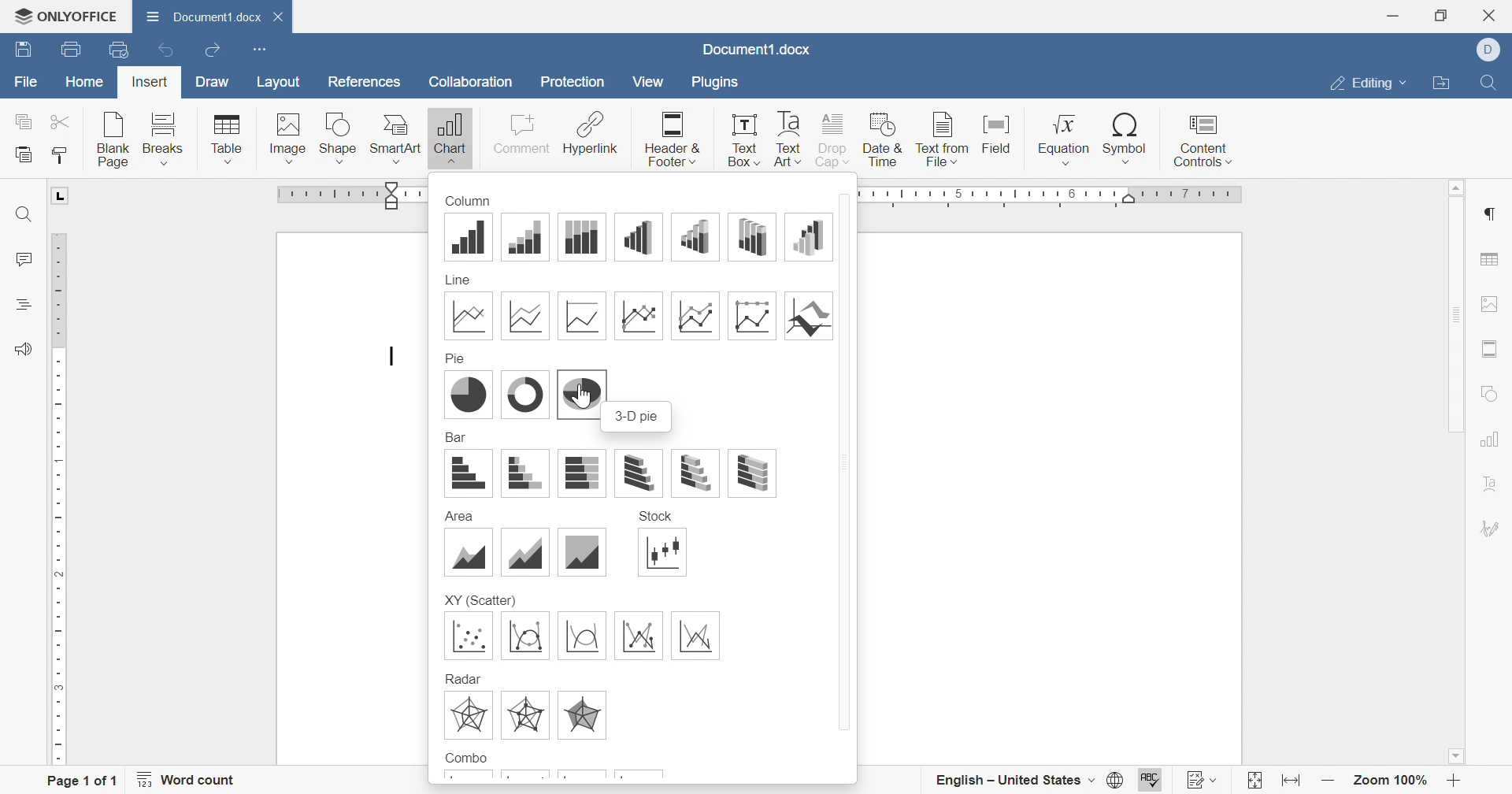 The height and width of the screenshot is (794, 1512). What do you see at coordinates (164, 138) in the screenshot?
I see `Breaks` at bounding box center [164, 138].